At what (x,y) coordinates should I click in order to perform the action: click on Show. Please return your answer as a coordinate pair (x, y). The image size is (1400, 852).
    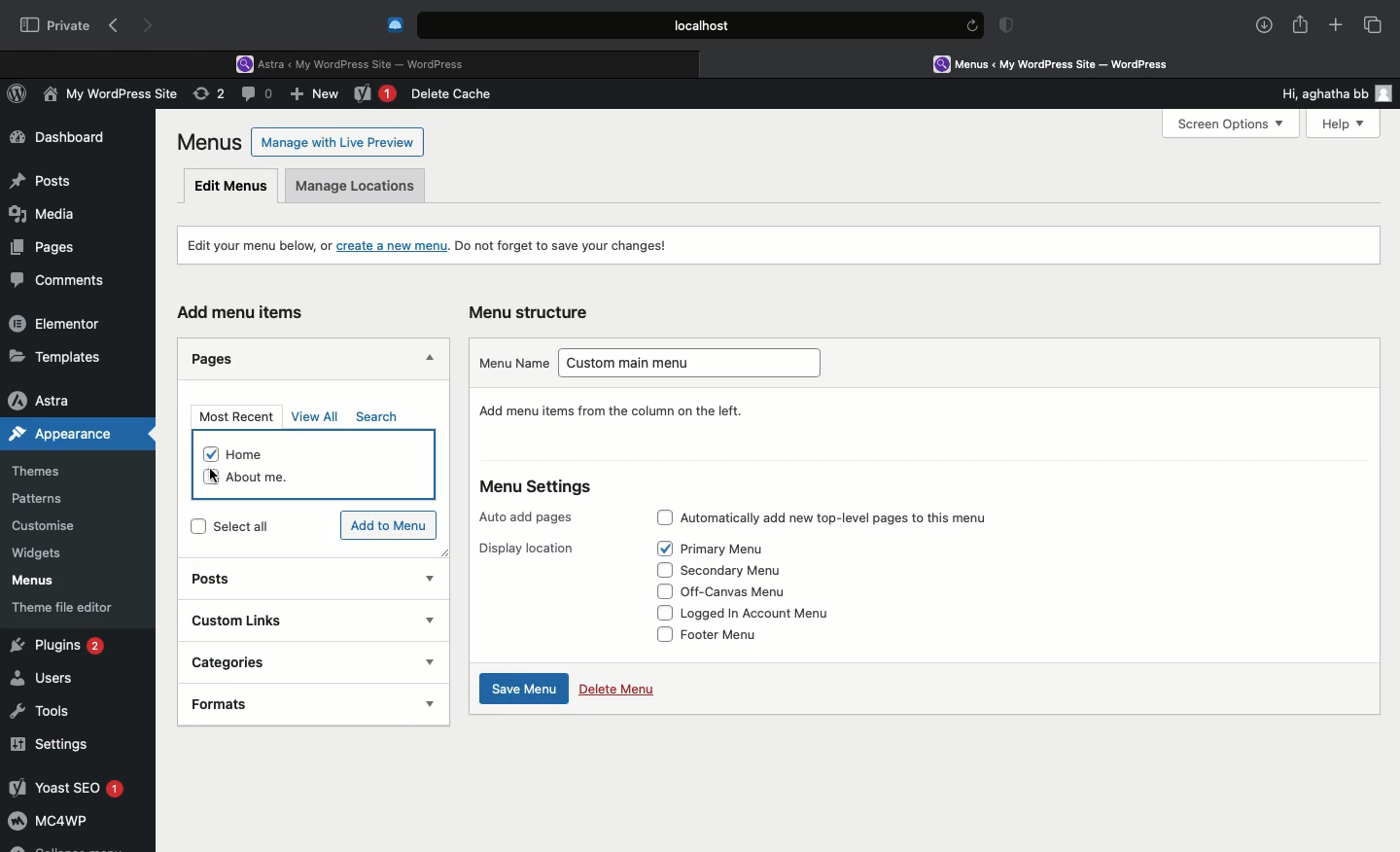
    Looking at the image, I should click on (430, 575).